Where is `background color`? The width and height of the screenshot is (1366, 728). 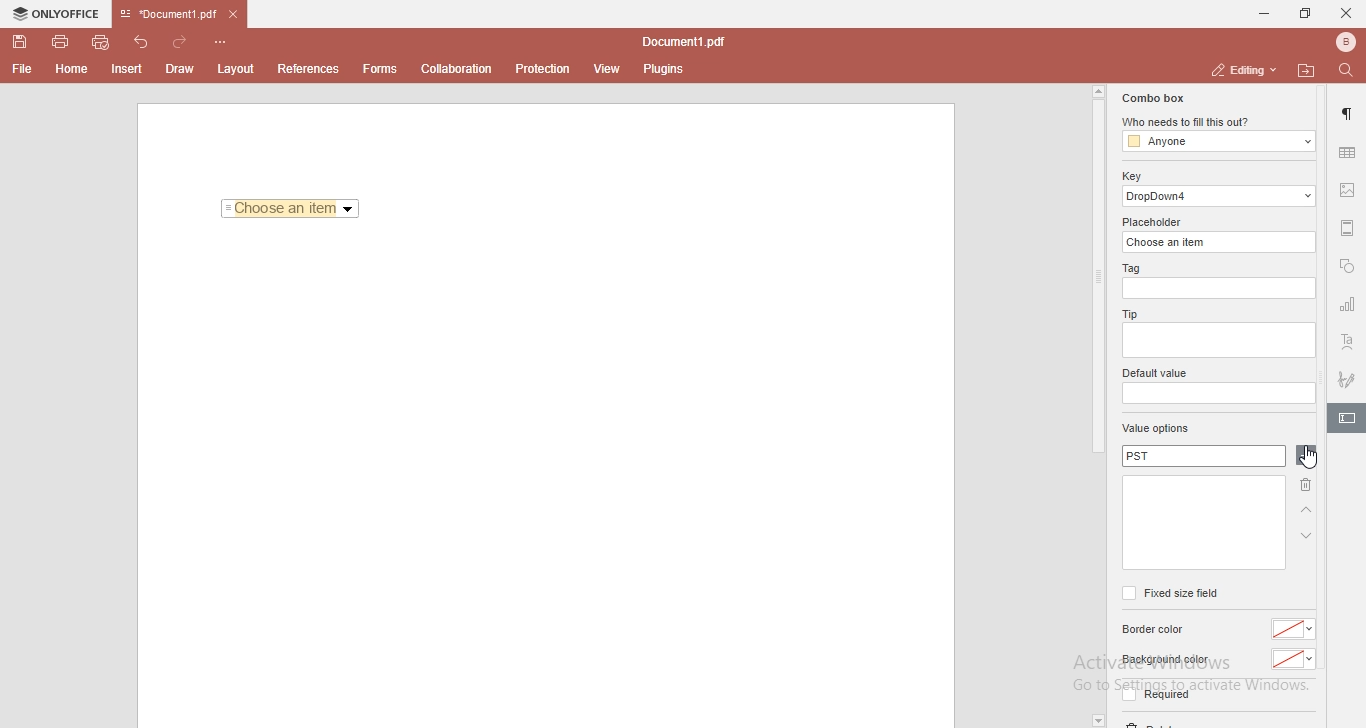 background color is located at coordinates (1164, 660).